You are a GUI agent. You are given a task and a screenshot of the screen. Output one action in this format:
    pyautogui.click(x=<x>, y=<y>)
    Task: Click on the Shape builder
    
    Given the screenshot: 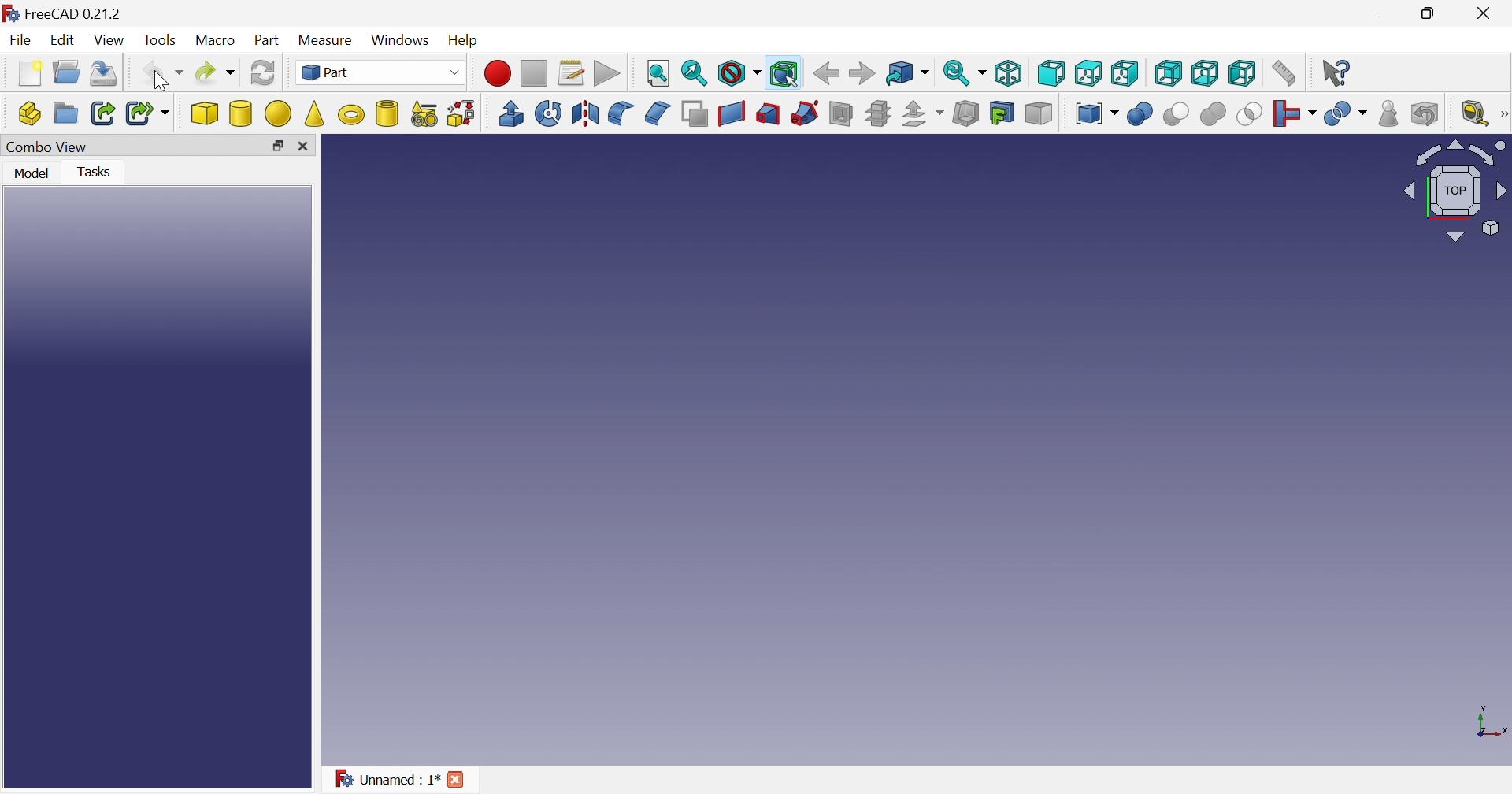 What is the action you would take?
    pyautogui.click(x=463, y=114)
    